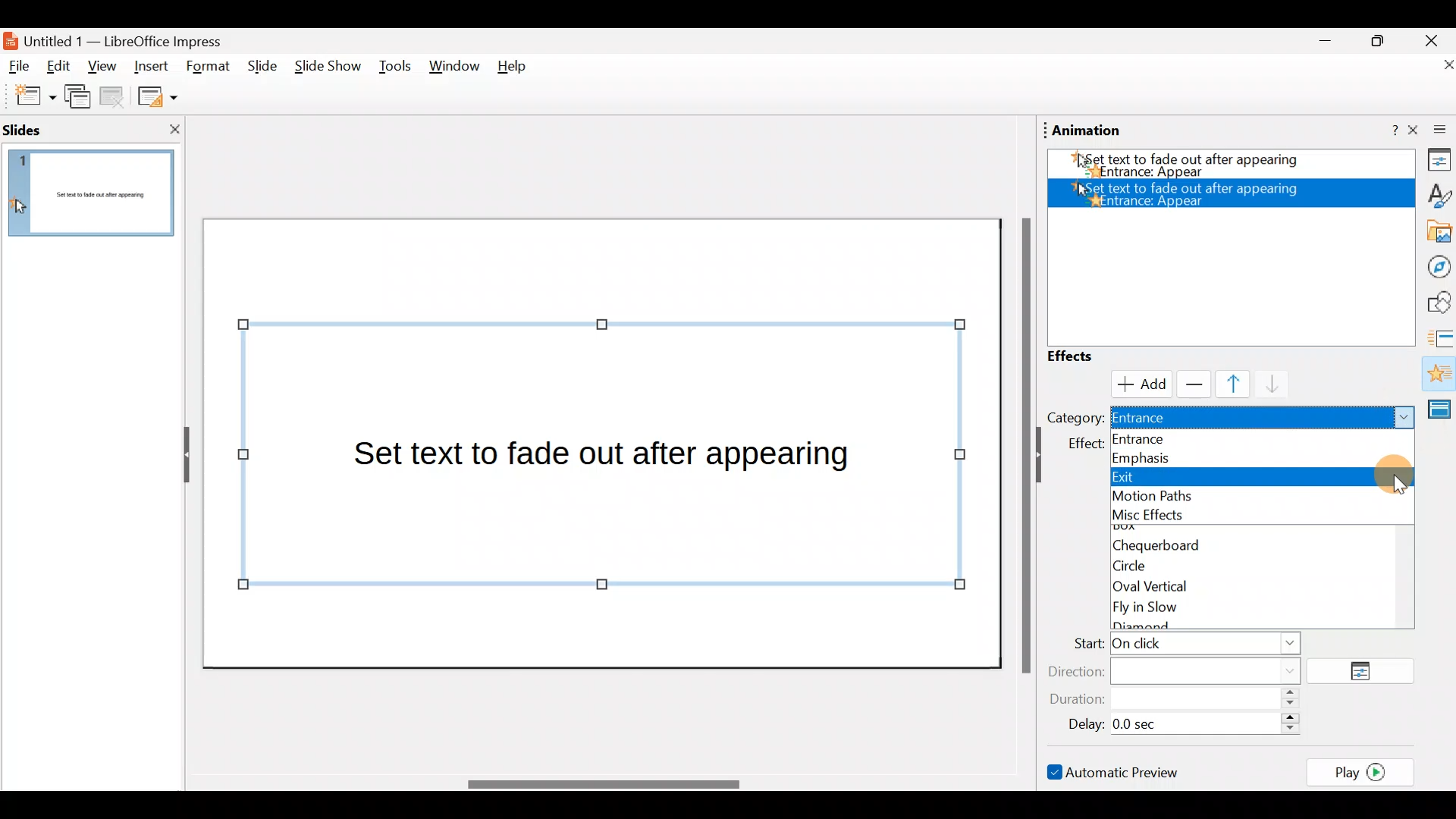  I want to click on Animation, so click(1438, 375).